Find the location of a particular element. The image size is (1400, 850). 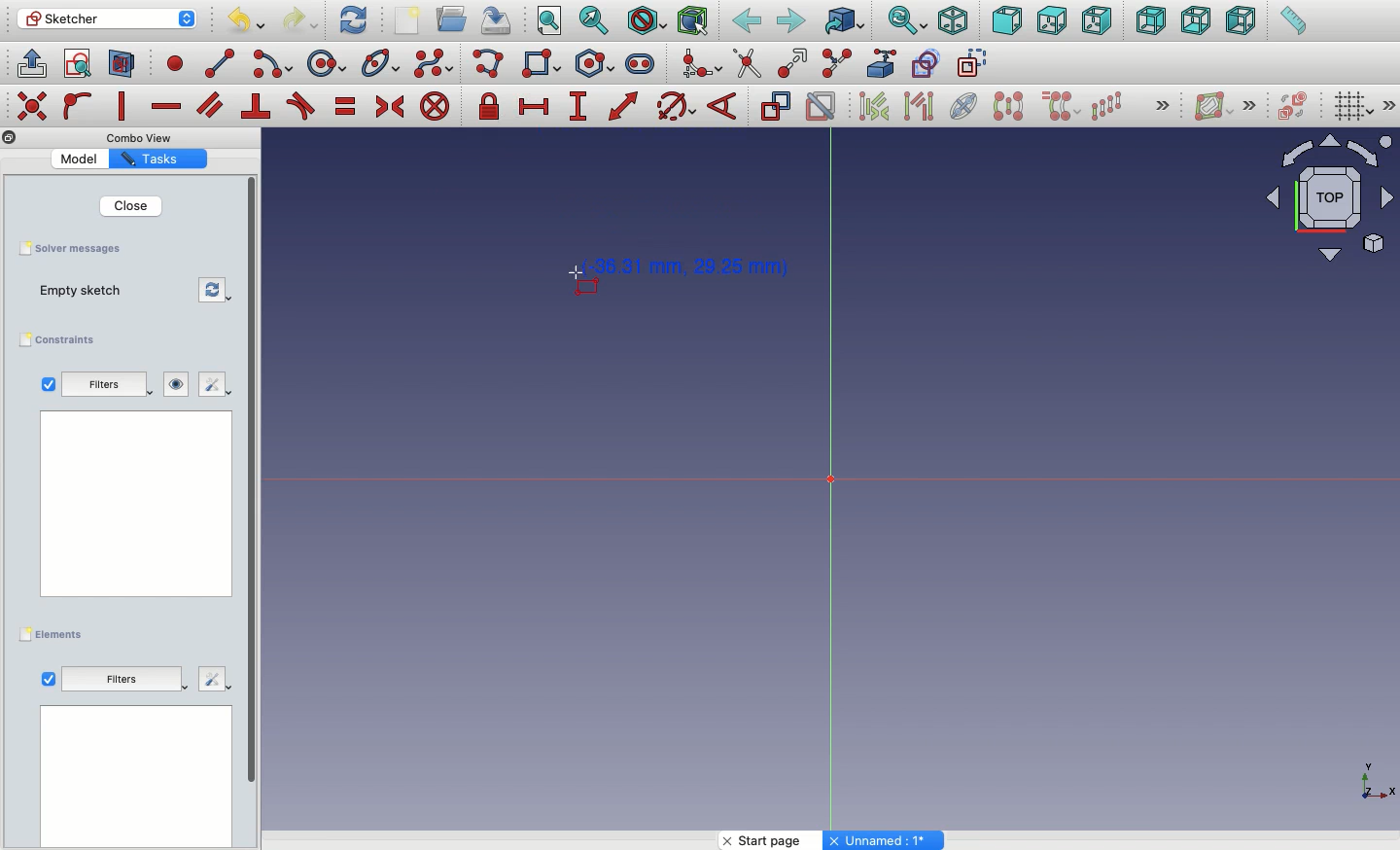

Trim edge is located at coordinates (748, 63).